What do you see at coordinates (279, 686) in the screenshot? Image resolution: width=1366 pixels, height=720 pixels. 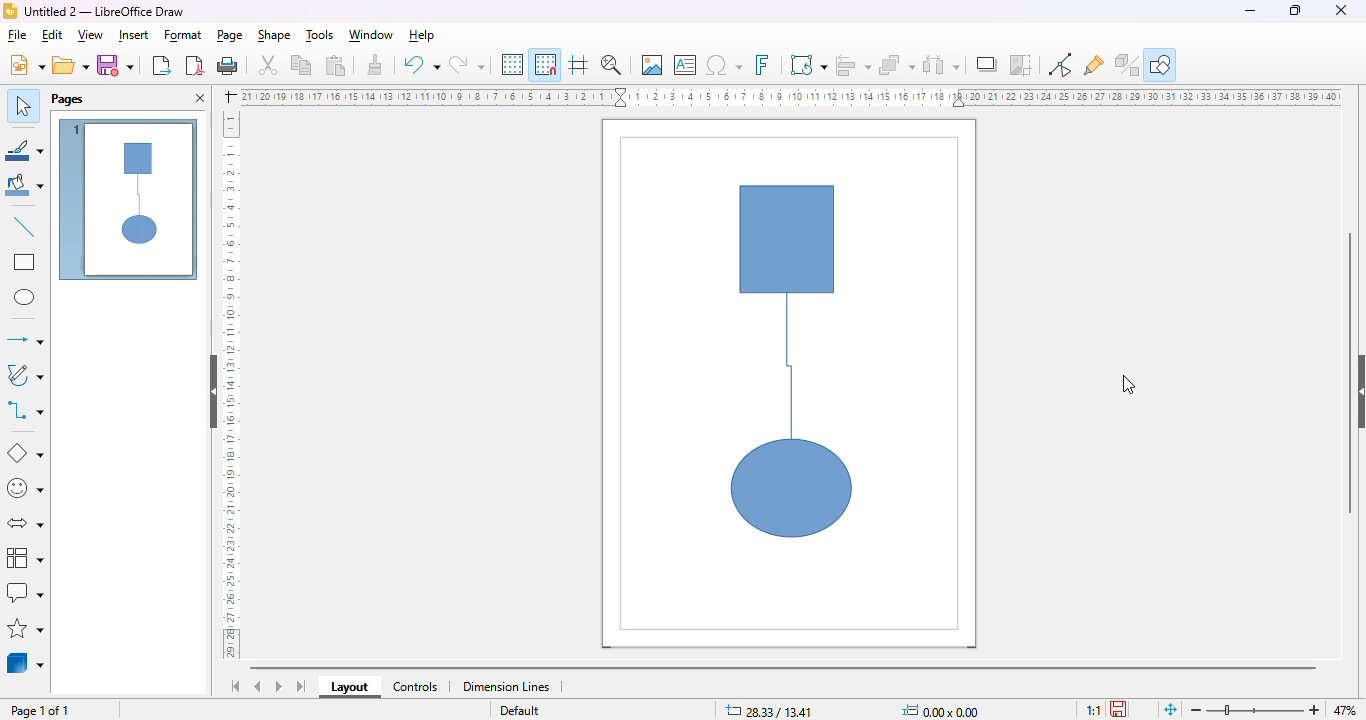 I see `scroll to next sheet` at bounding box center [279, 686].